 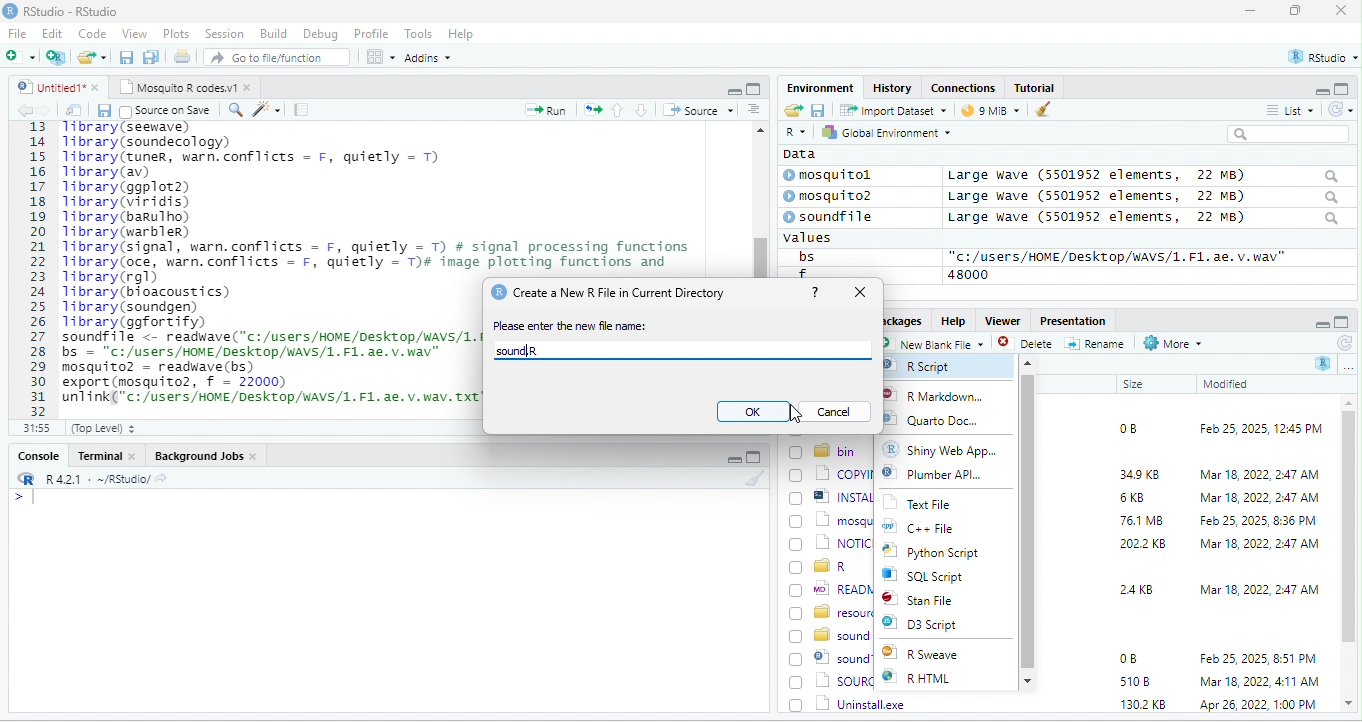 What do you see at coordinates (235, 108) in the screenshot?
I see `search` at bounding box center [235, 108].